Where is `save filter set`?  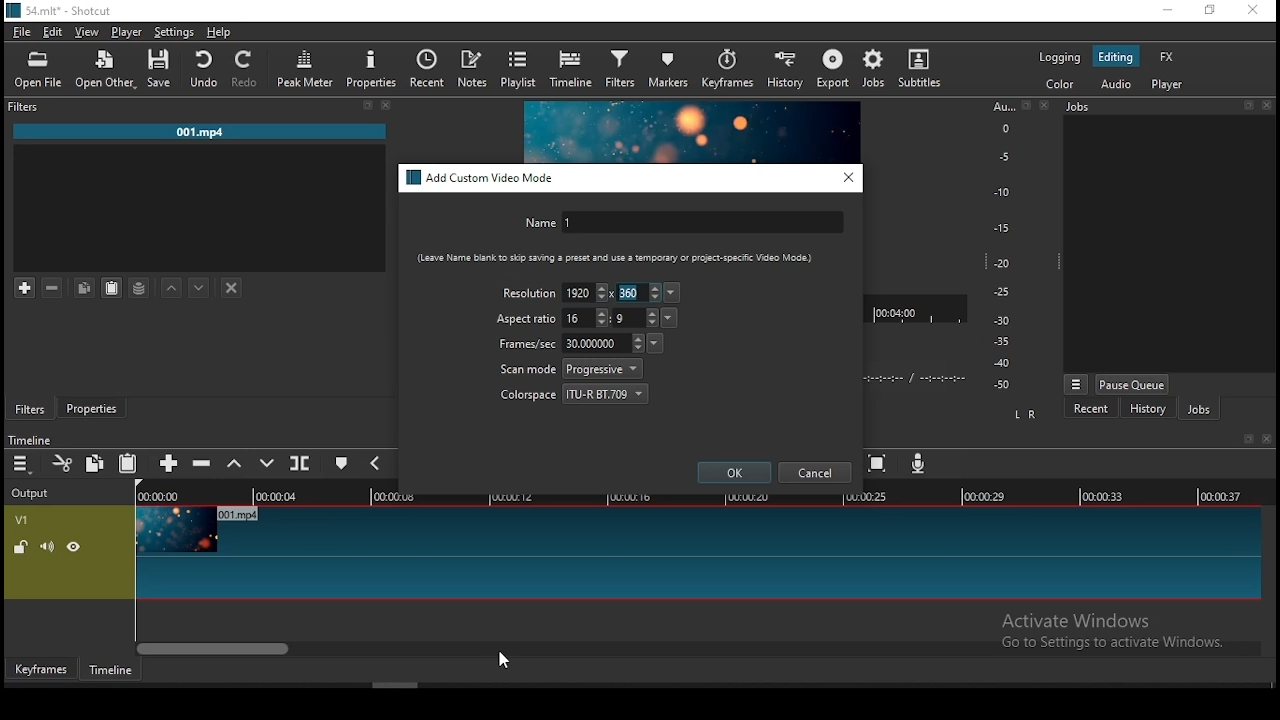
save filter set is located at coordinates (139, 285).